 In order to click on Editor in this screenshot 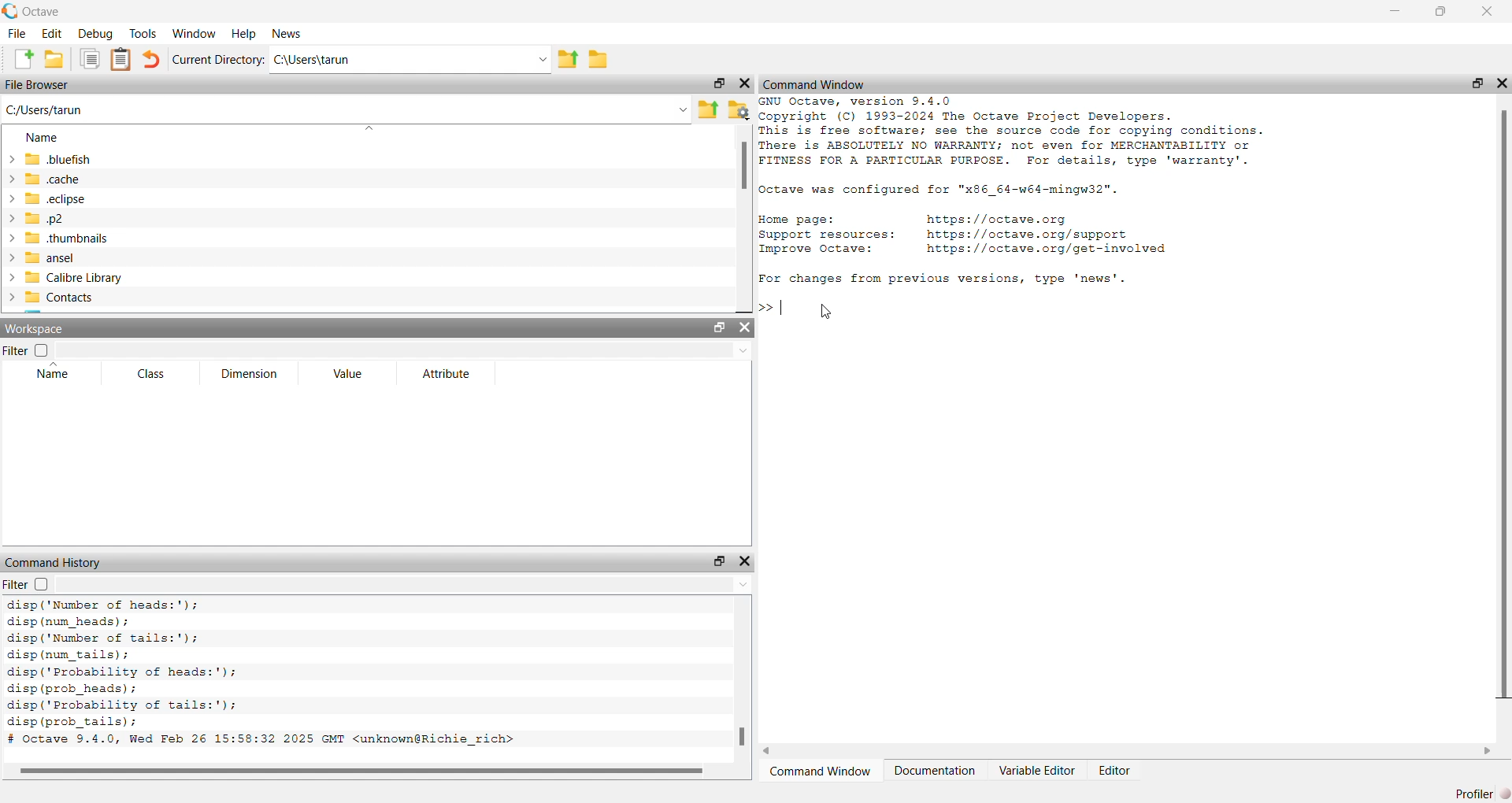, I will do `click(1114, 771)`.